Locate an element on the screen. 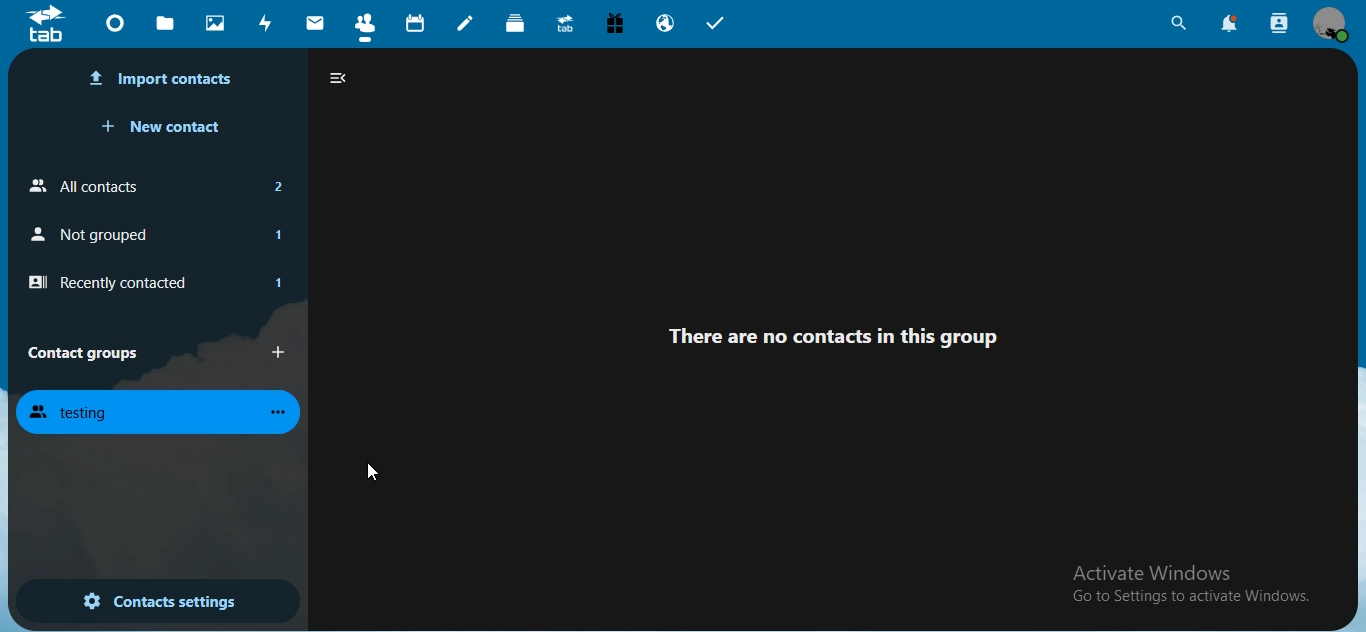 This screenshot has height=632, width=1366. view profile is located at coordinates (1333, 23).